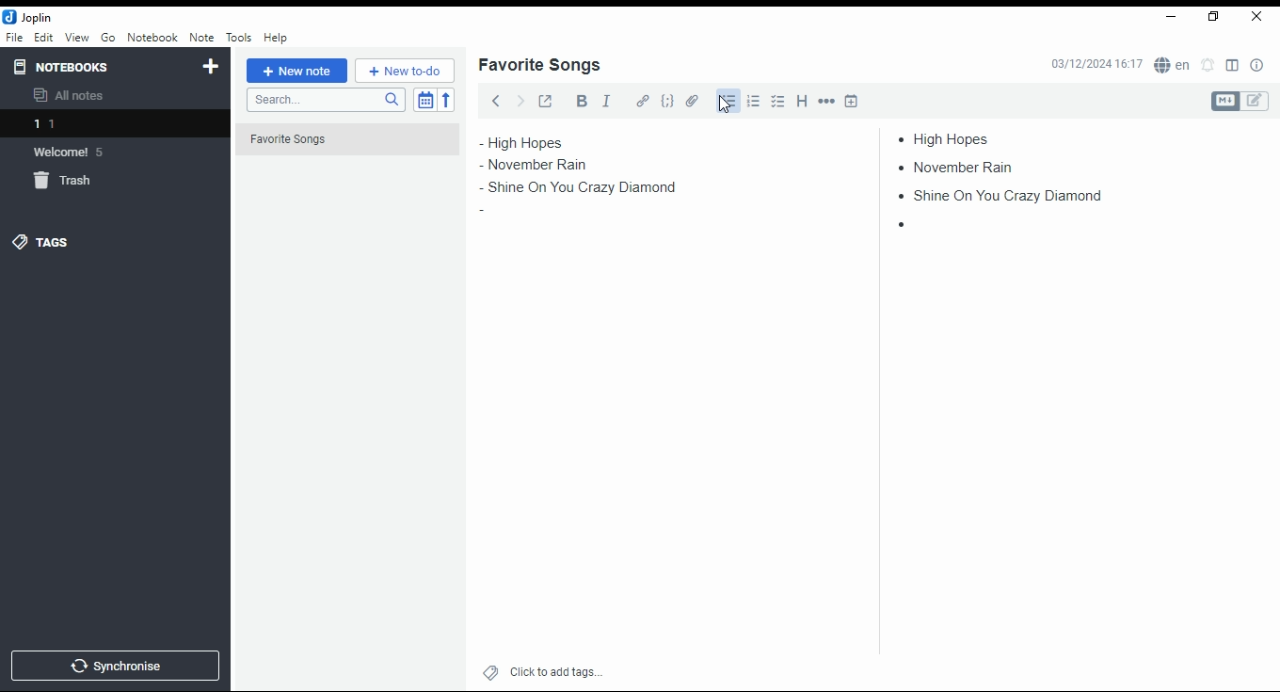 The height and width of the screenshot is (692, 1280). What do you see at coordinates (754, 100) in the screenshot?
I see `number list` at bounding box center [754, 100].